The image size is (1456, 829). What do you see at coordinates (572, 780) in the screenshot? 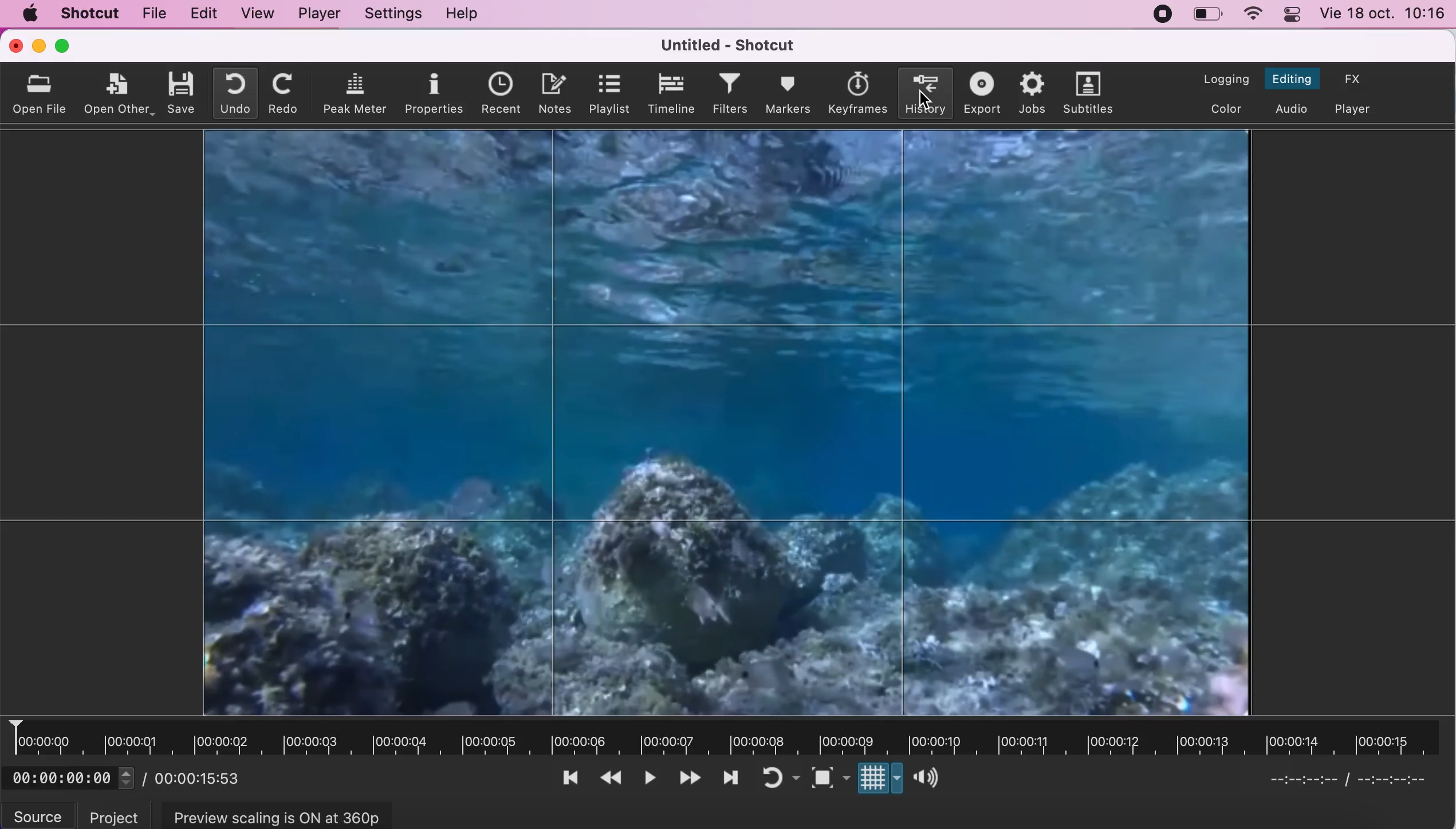
I see `skip to the previous point` at bounding box center [572, 780].